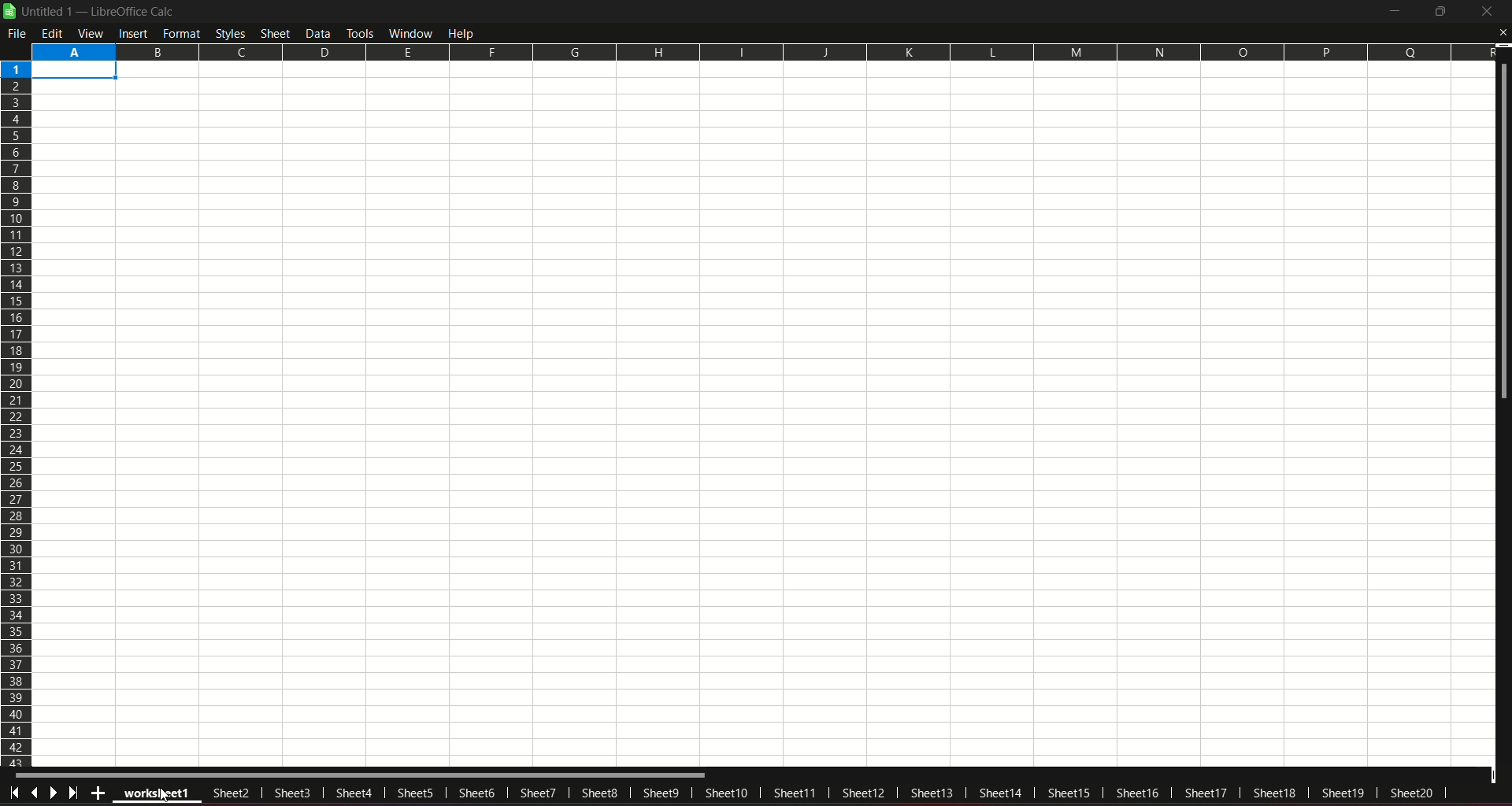 Image resolution: width=1512 pixels, height=806 pixels. What do you see at coordinates (1344, 793) in the screenshot?
I see `sheet19` at bounding box center [1344, 793].